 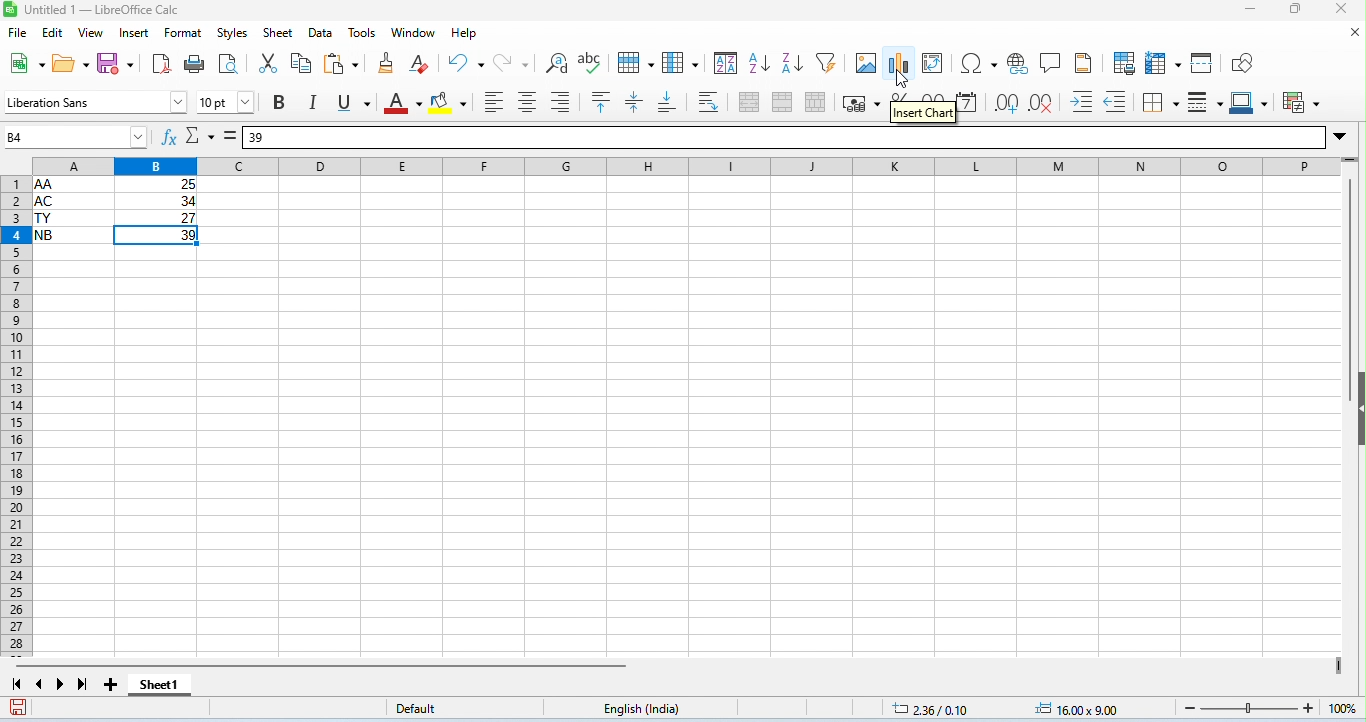 What do you see at coordinates (685, 167) in the screenshot?
I see `column headings` at bounding box center [685, 167].